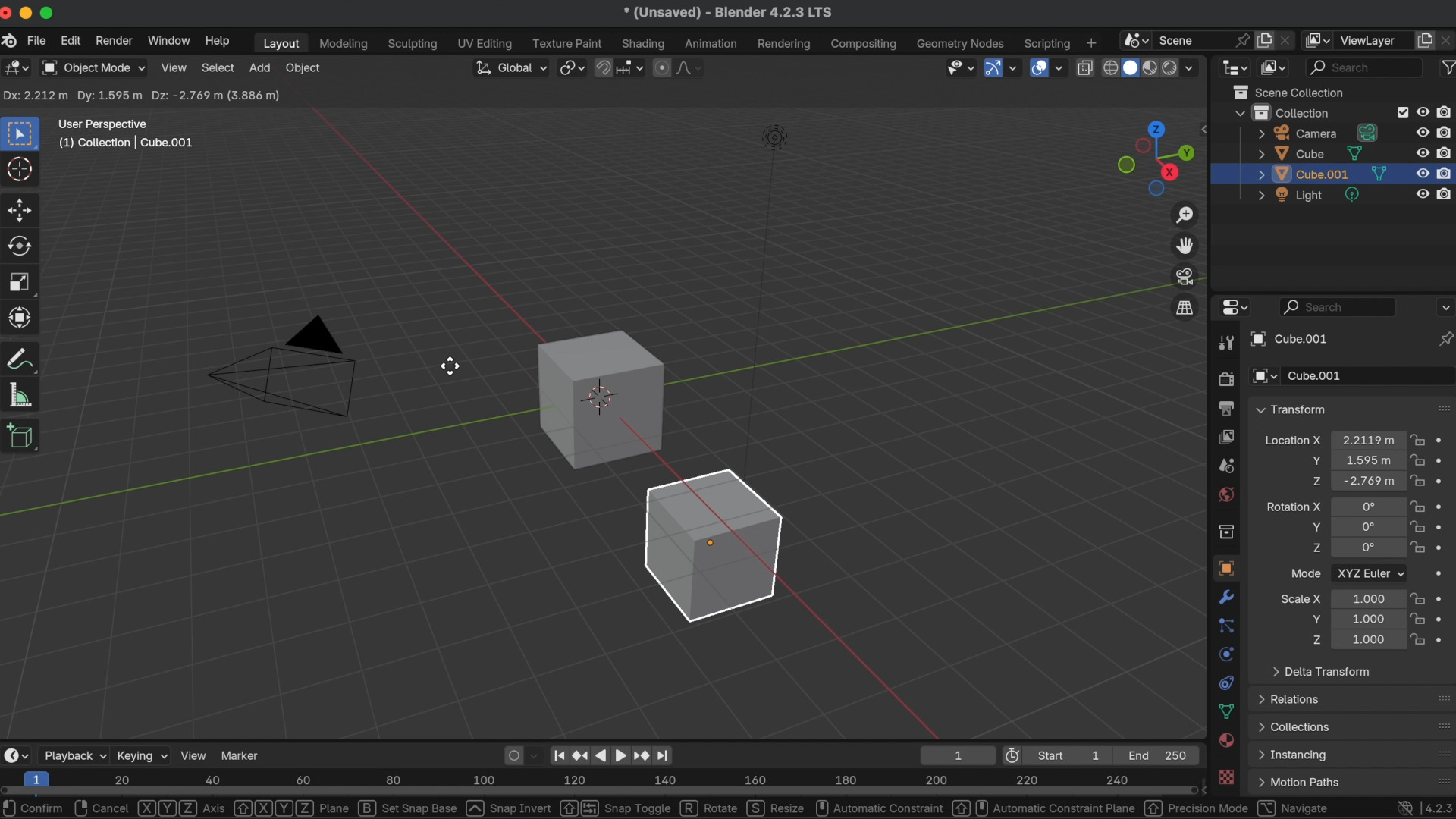 The image size is (1456, 819). Describe the element at coordinates (1418, 442) in the screenshot. I see `lock location` at that location.